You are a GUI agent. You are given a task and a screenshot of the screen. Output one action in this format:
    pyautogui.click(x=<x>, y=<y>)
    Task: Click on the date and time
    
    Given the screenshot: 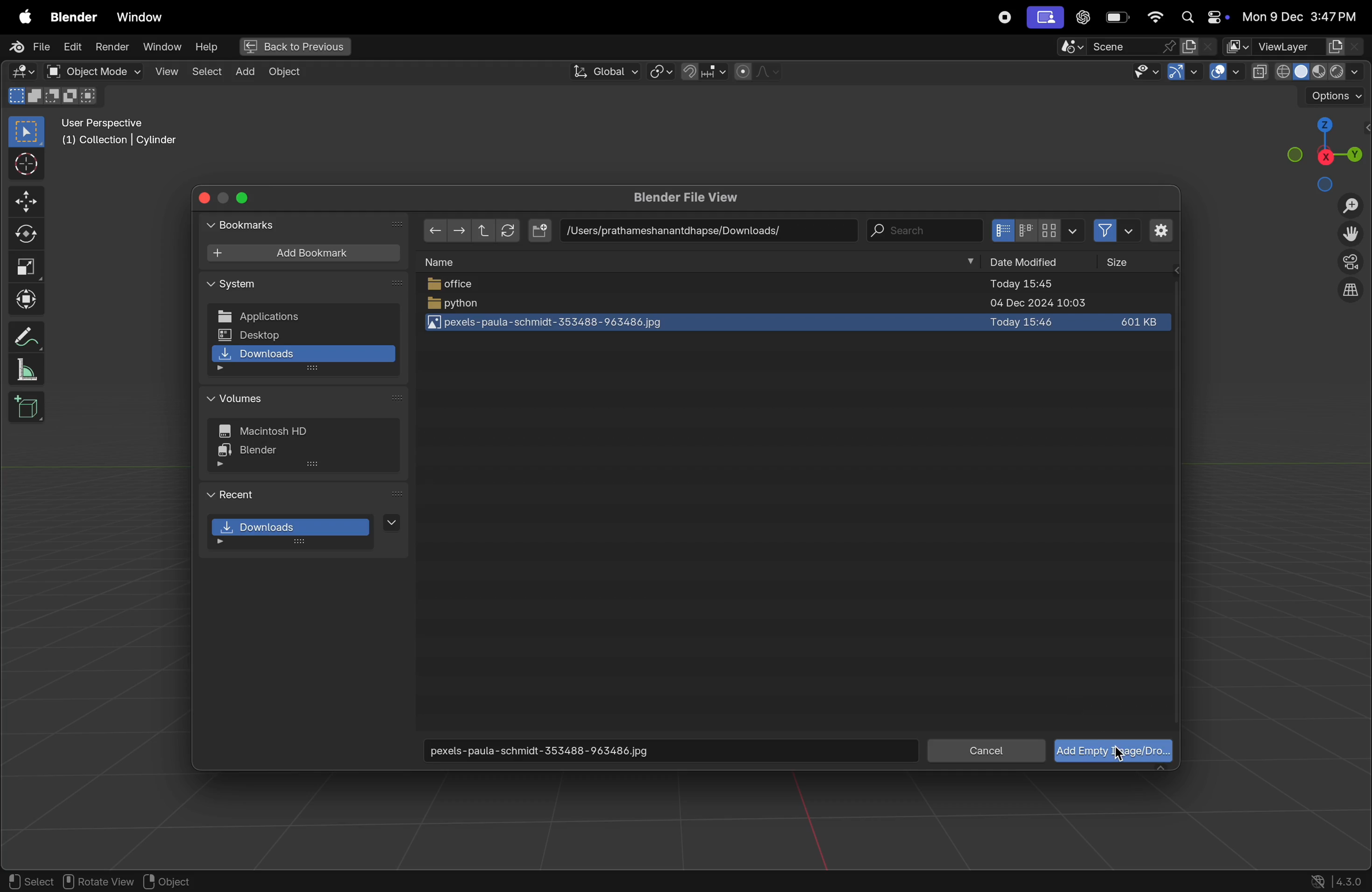 What is the action you would take?
    pyautogui.click(x=1299, y=17)
    